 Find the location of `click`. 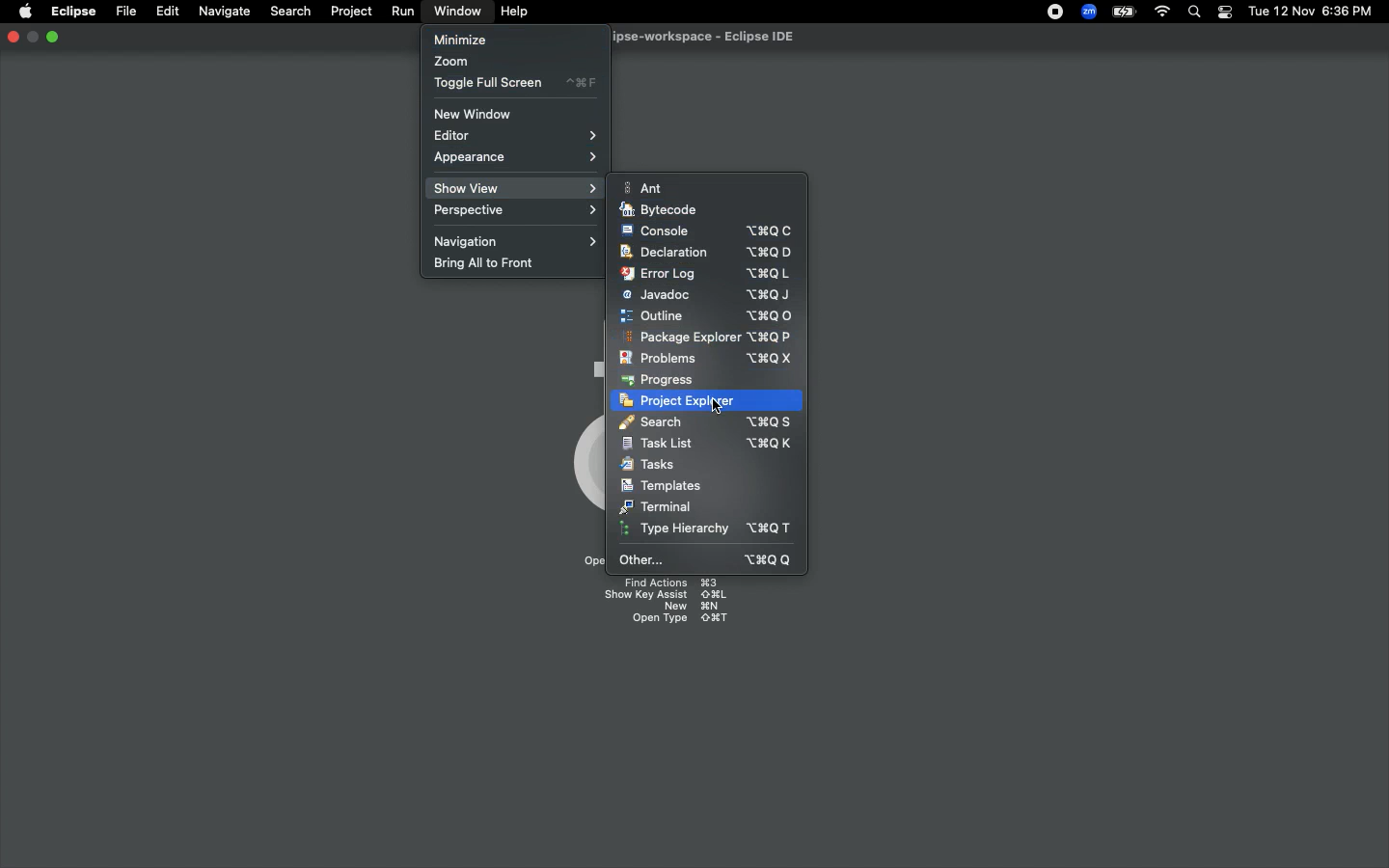

click is located at coordinates (725, 404).